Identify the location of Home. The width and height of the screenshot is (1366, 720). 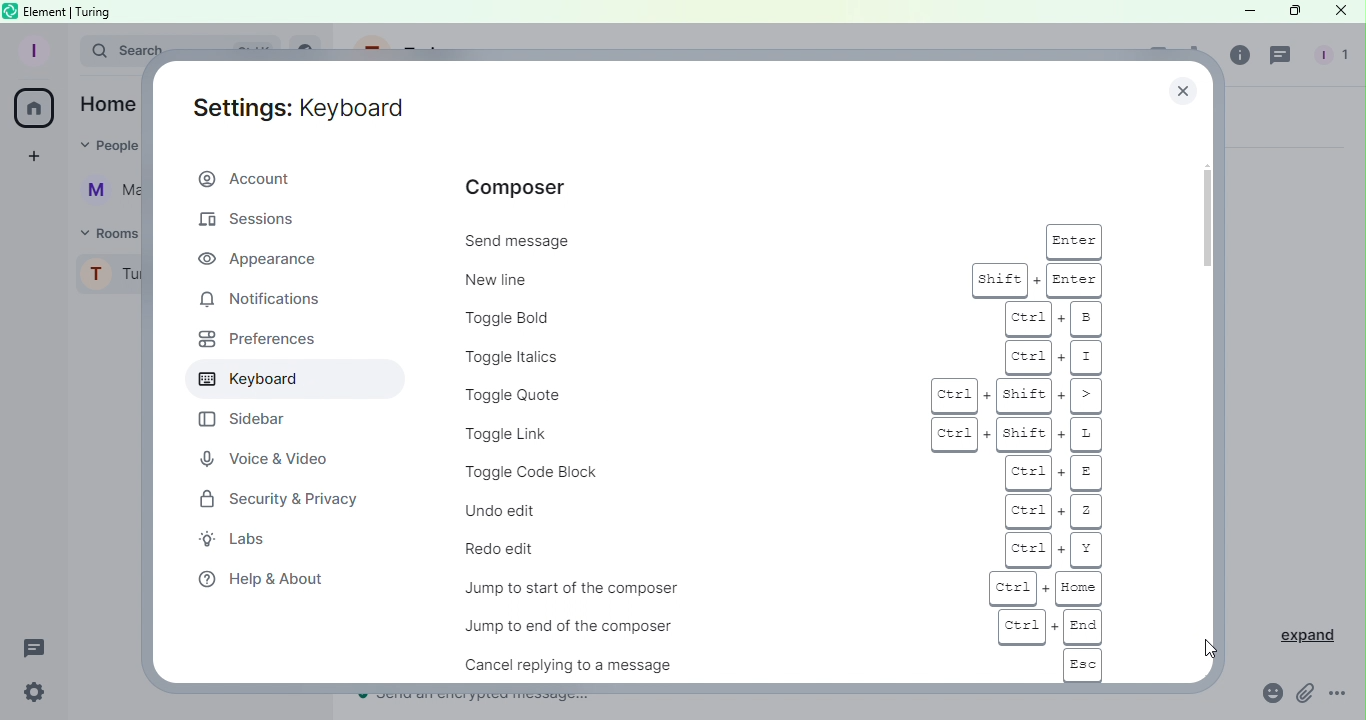
(105, 104).